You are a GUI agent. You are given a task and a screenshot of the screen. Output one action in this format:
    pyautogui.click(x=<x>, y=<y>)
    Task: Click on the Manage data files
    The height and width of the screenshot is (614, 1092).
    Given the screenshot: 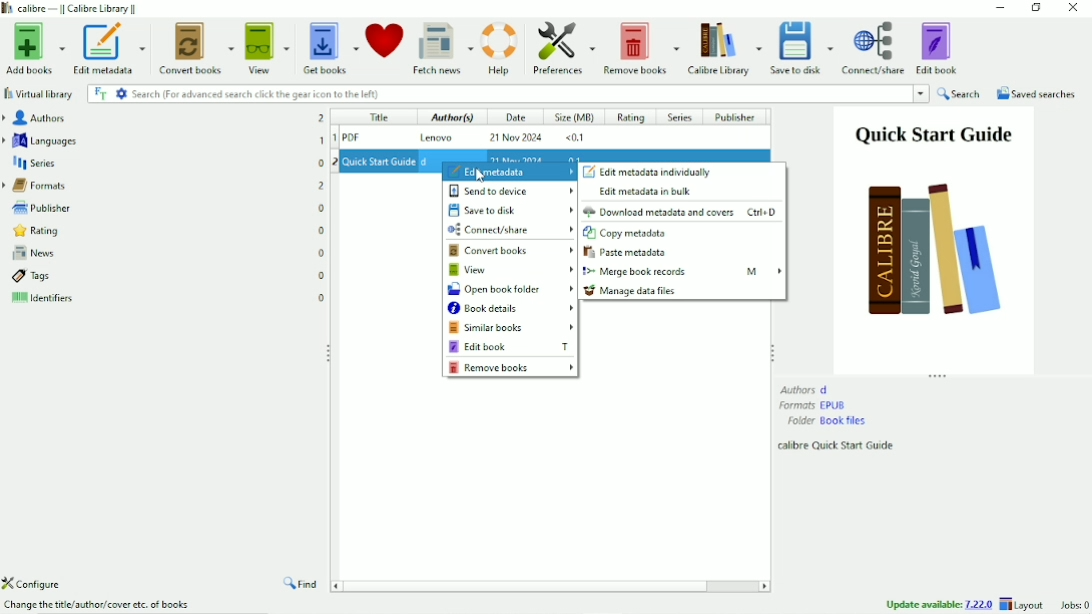 What is the action you would take?
    pyautogui.click(x=632, y=291)
    